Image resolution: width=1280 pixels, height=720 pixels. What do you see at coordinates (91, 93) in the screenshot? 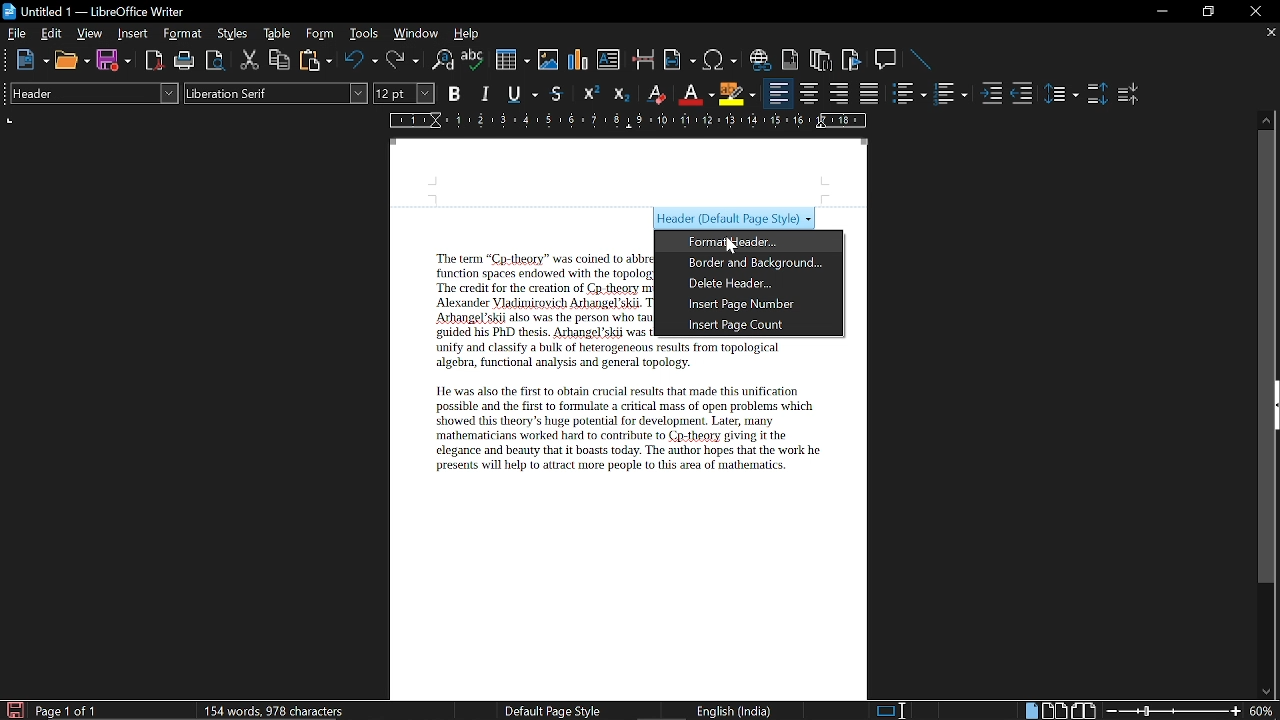
I see `Paragraph style` at bounding box center [91, 93].